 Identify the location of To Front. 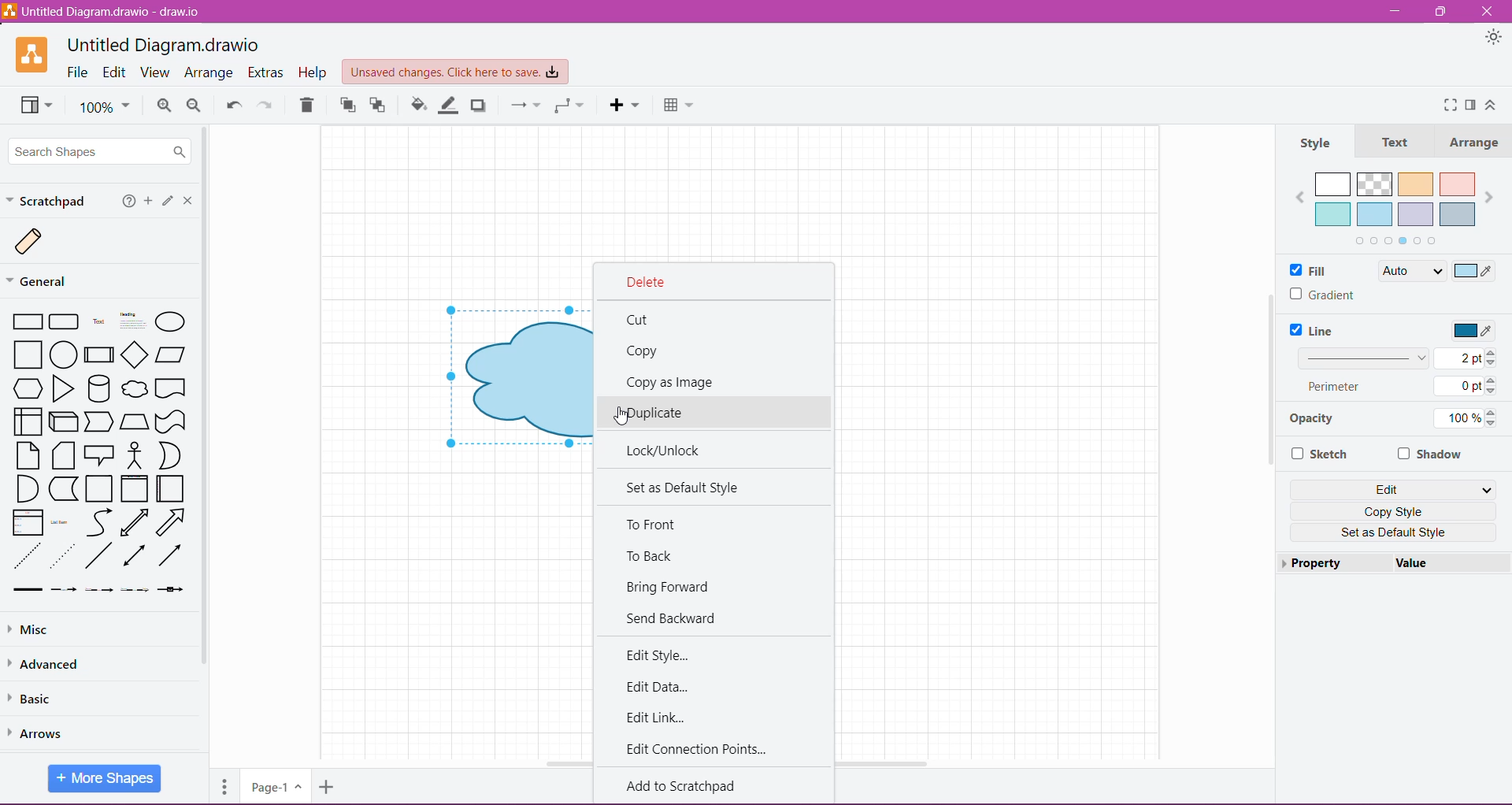
(657, 523).